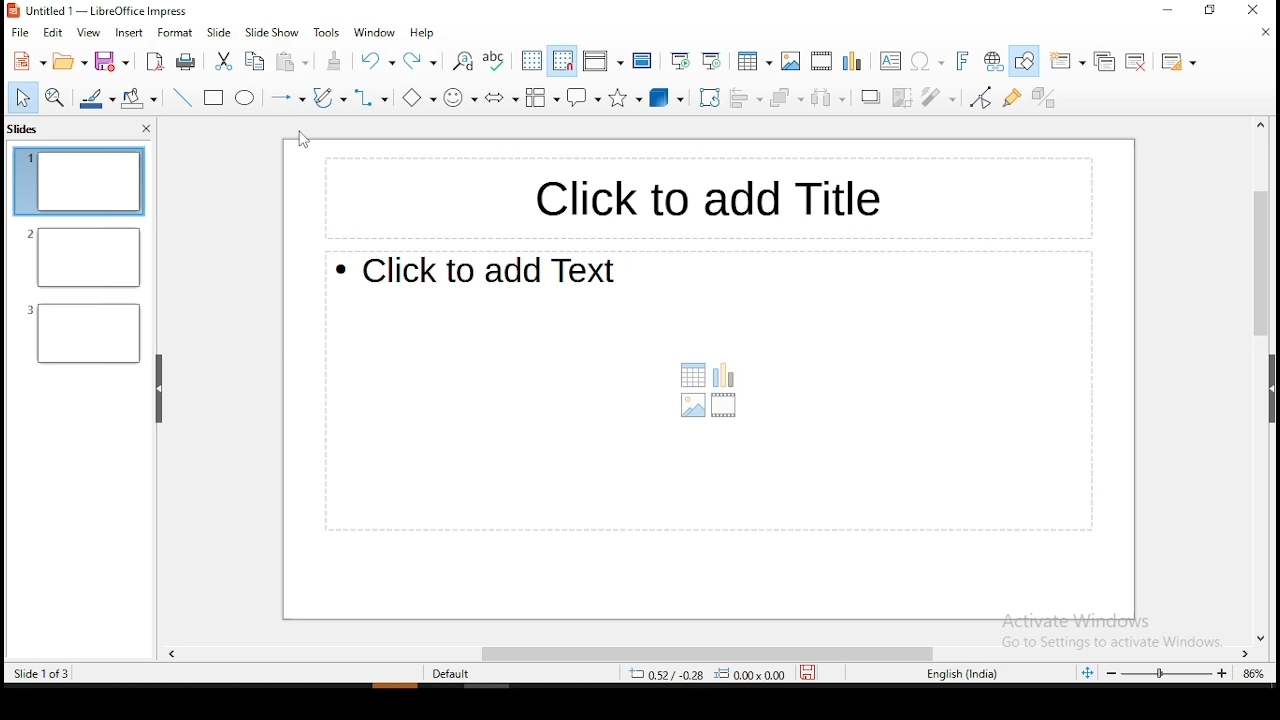 The height and width of the screenshot is (720, 1280). Describe the element at coordinates (81, 257) in the screenshot. I see `slide 2` at that location.